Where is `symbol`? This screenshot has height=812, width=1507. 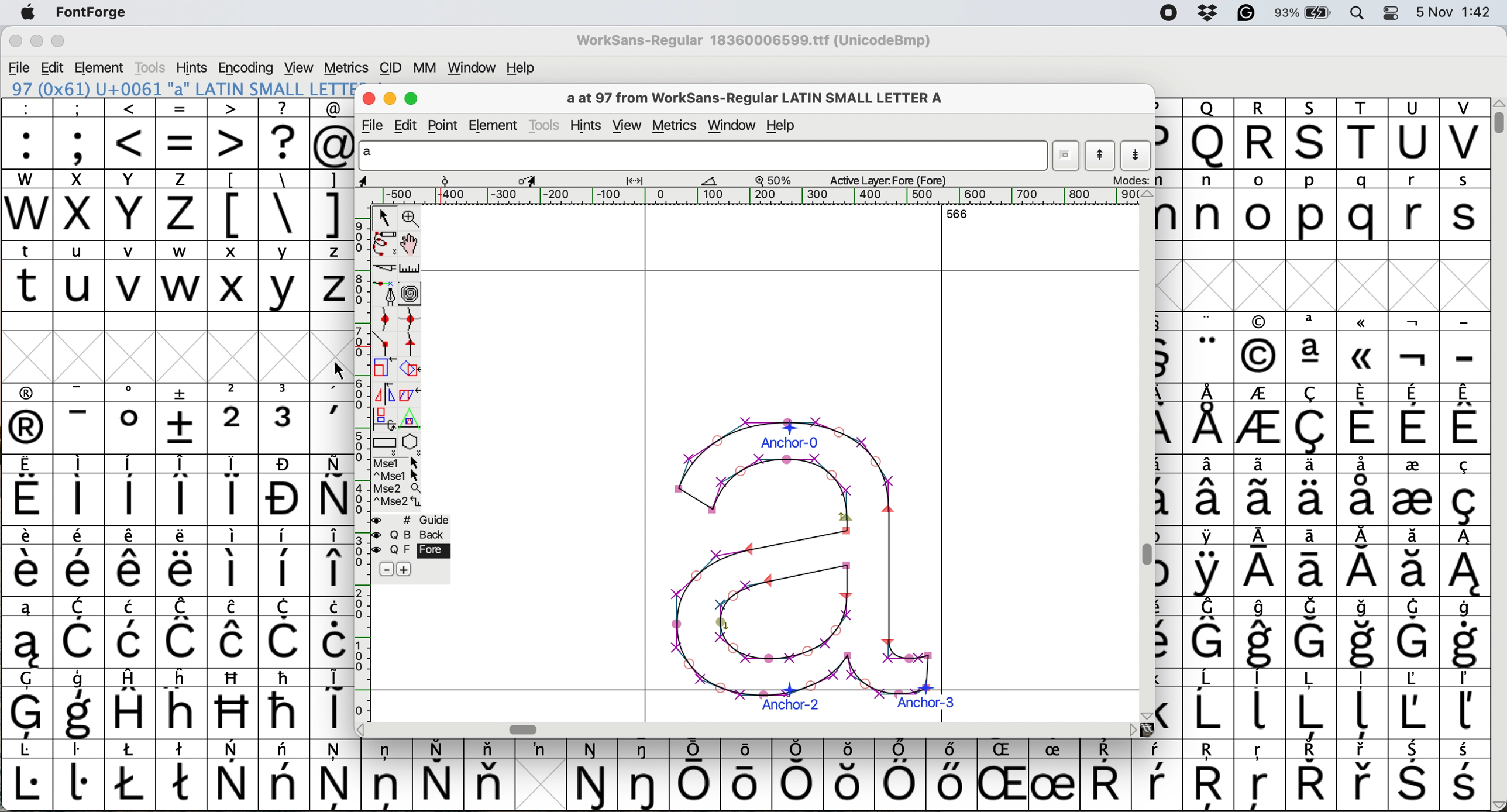
symbol is located at coordinates (130, 490).